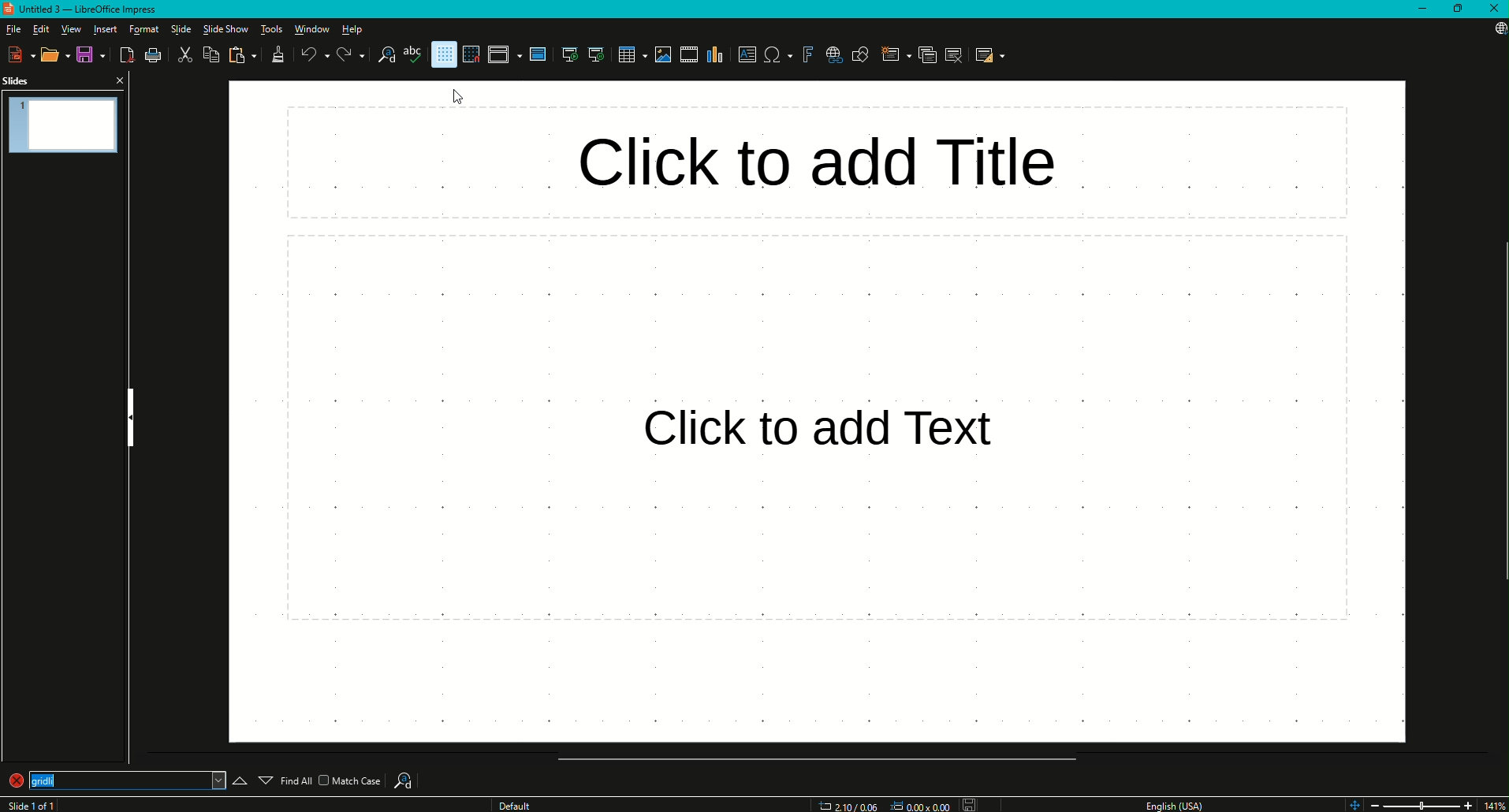 Image resolution: width=1509 pixels, height=812 pixels. I want to click on English (USA), so click(1179, 802).